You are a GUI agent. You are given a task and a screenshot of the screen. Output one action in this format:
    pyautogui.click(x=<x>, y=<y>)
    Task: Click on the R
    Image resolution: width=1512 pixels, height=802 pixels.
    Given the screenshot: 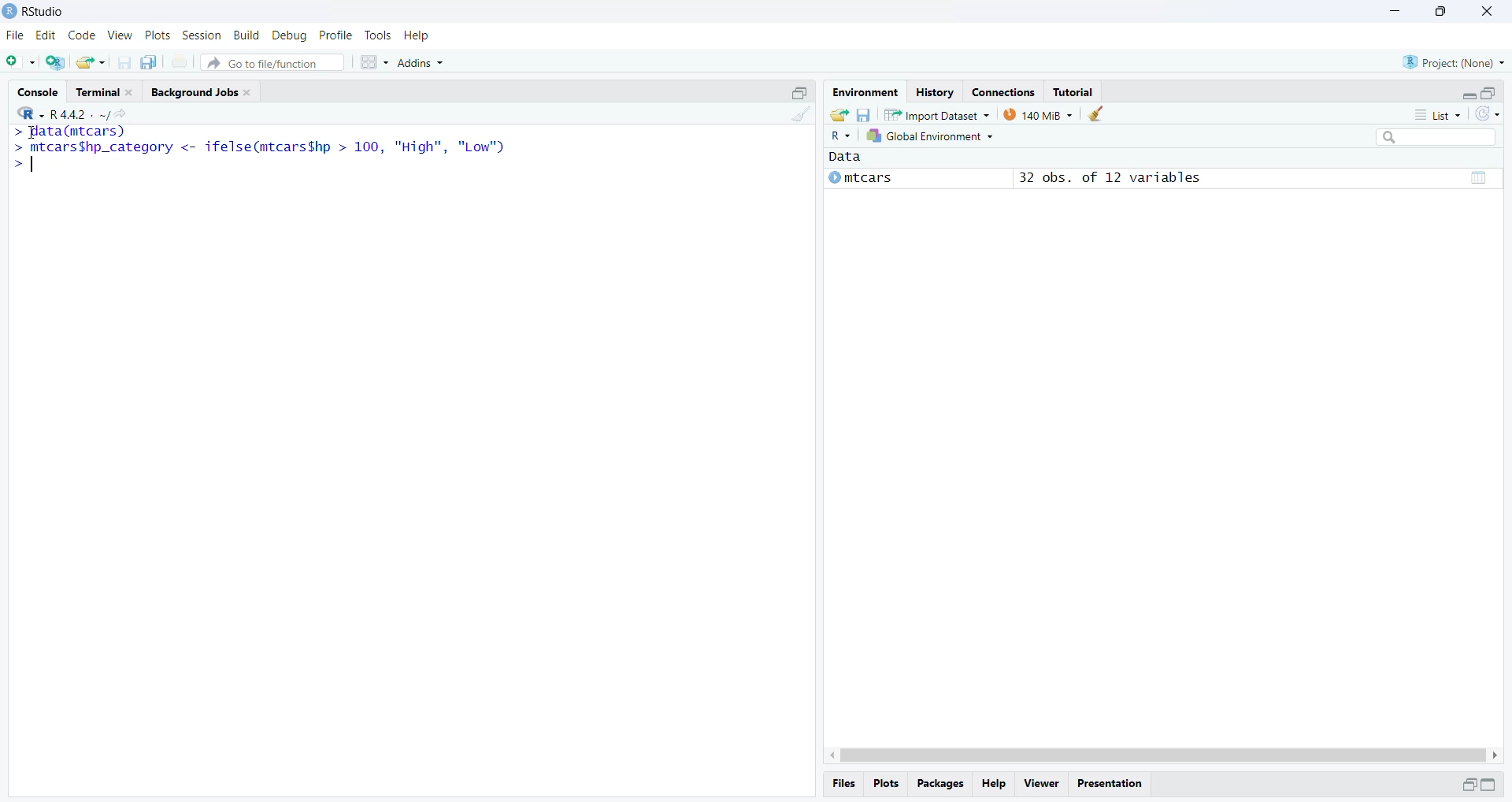 What is the action you would take?
    pyautogui.click(x=26, y=112)
    